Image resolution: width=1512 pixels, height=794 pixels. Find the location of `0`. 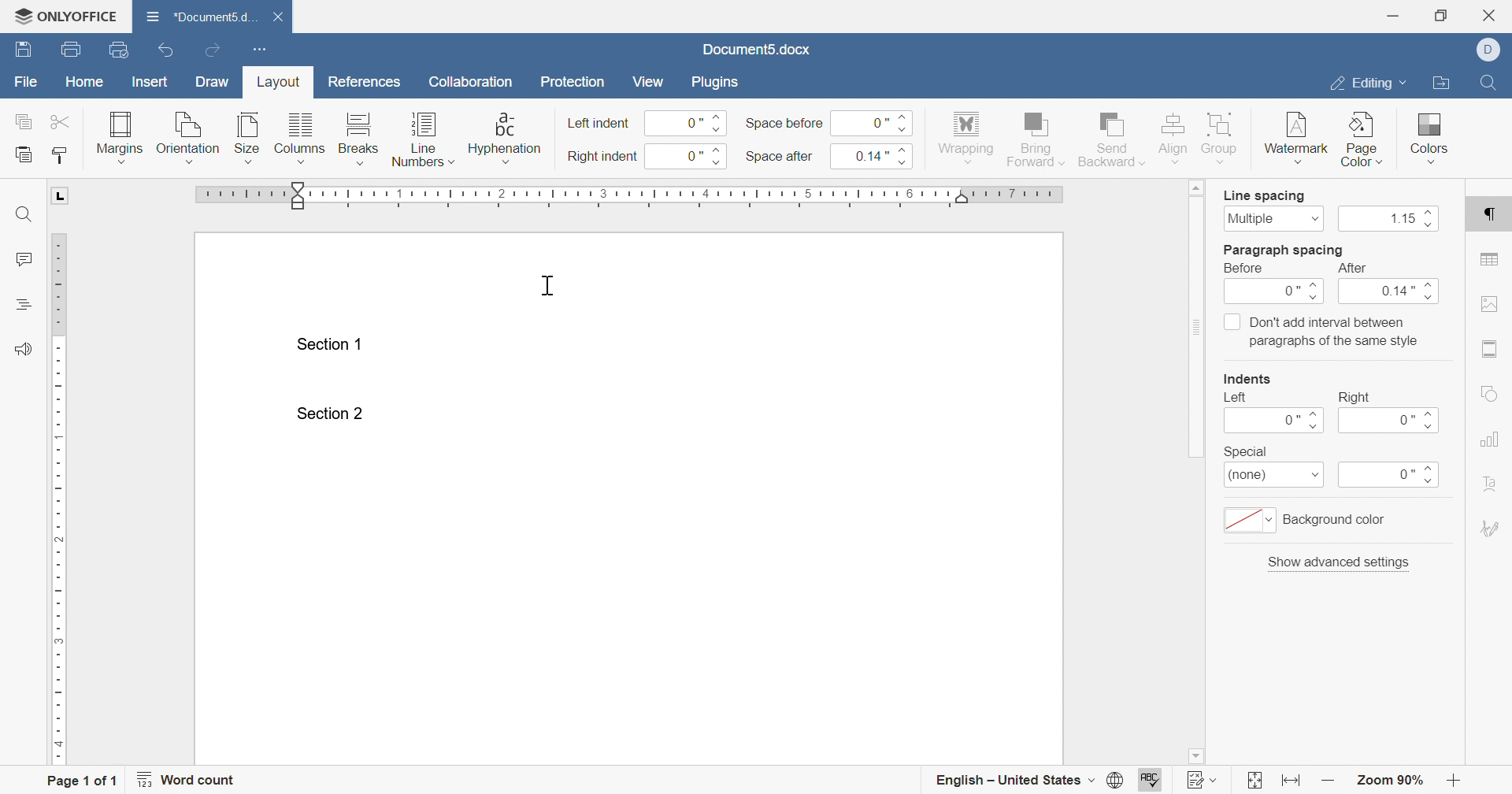

0 is located at coordinates (1276, 293).